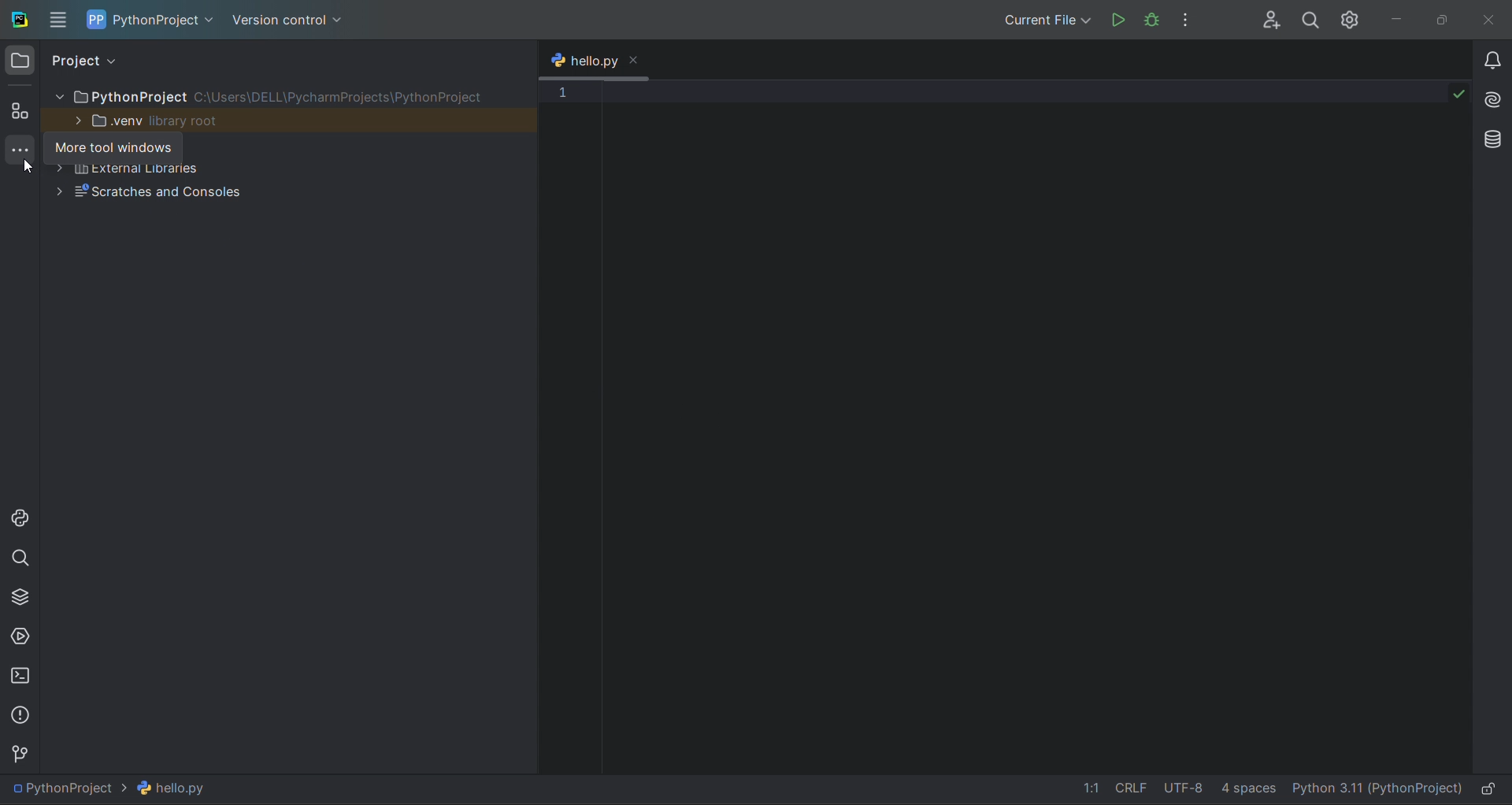 The width and height of the screenshot is (1512, 805). I want to click on maximize, so click(1444, 20).